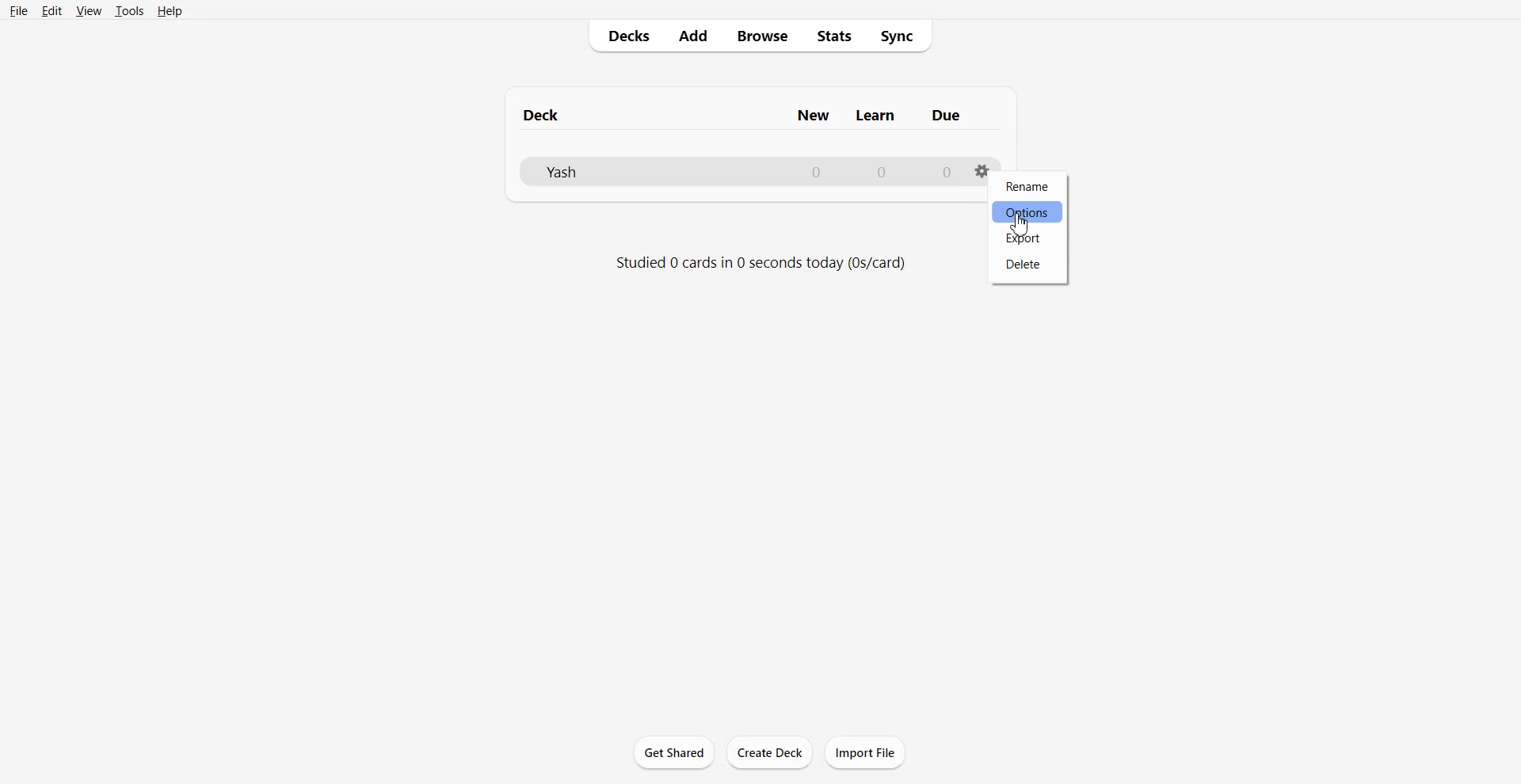  I want to click on Decks, so click(623, 36).